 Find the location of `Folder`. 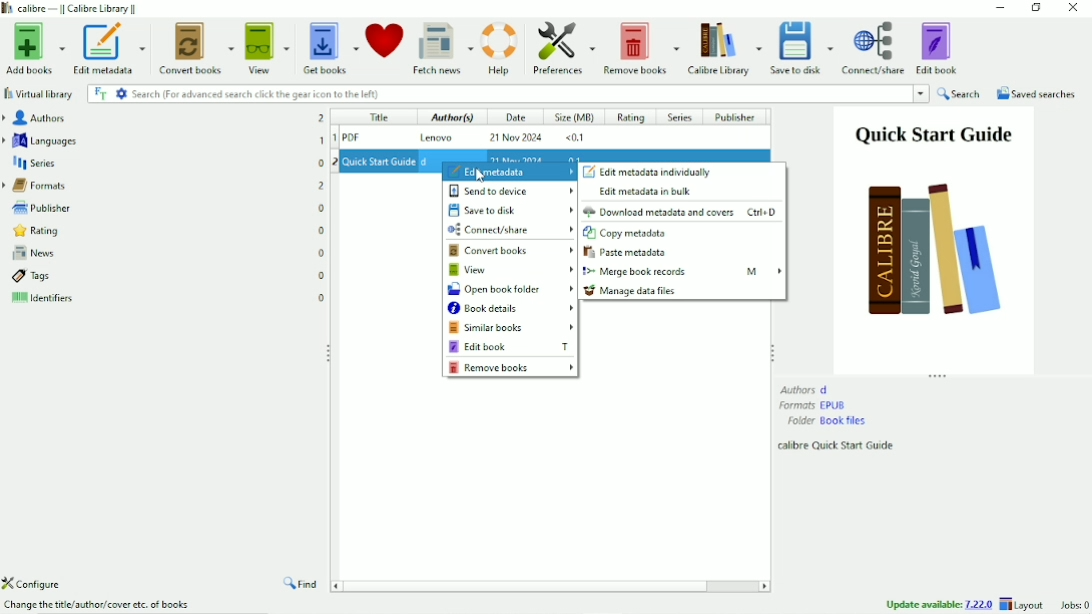

Folder is located at coordinates (827, 421).